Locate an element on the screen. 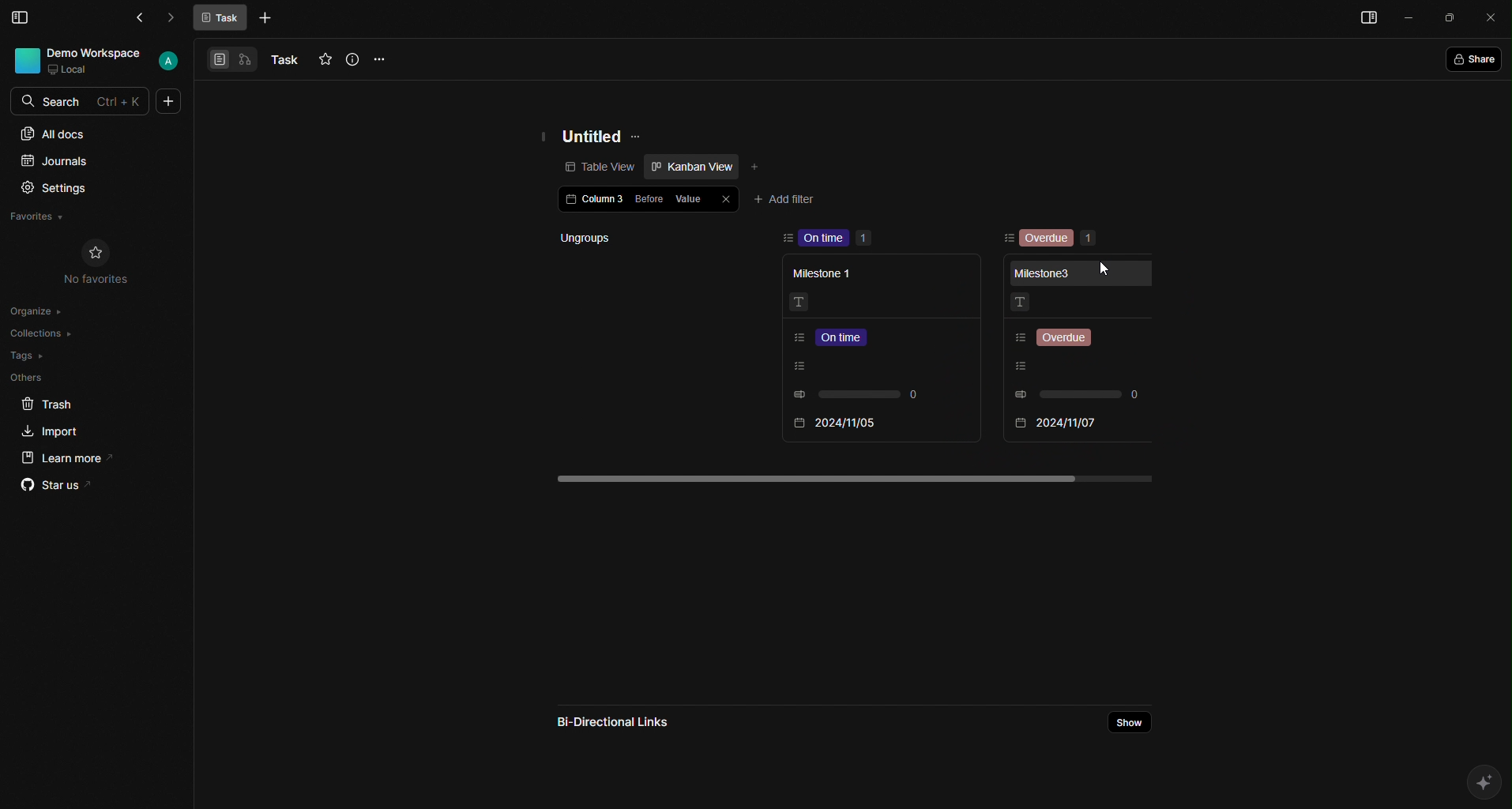 This screenshot has height=809, width=1512. 2024/11/05 is located at coordinates (1049, 423).